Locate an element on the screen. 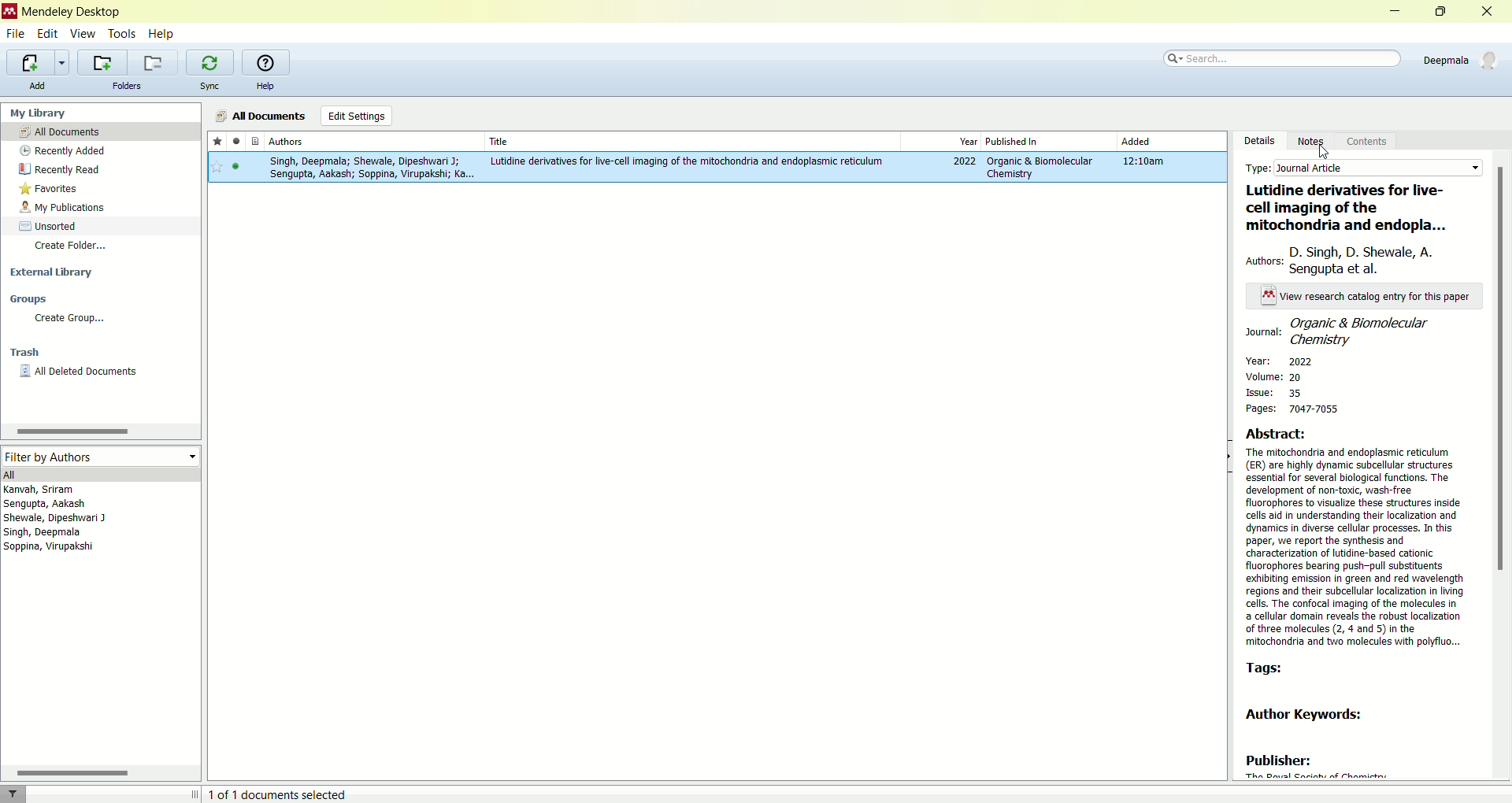 The height and width of the screenshot is (803, 1512). notes is located at coordinates (1311, 140).